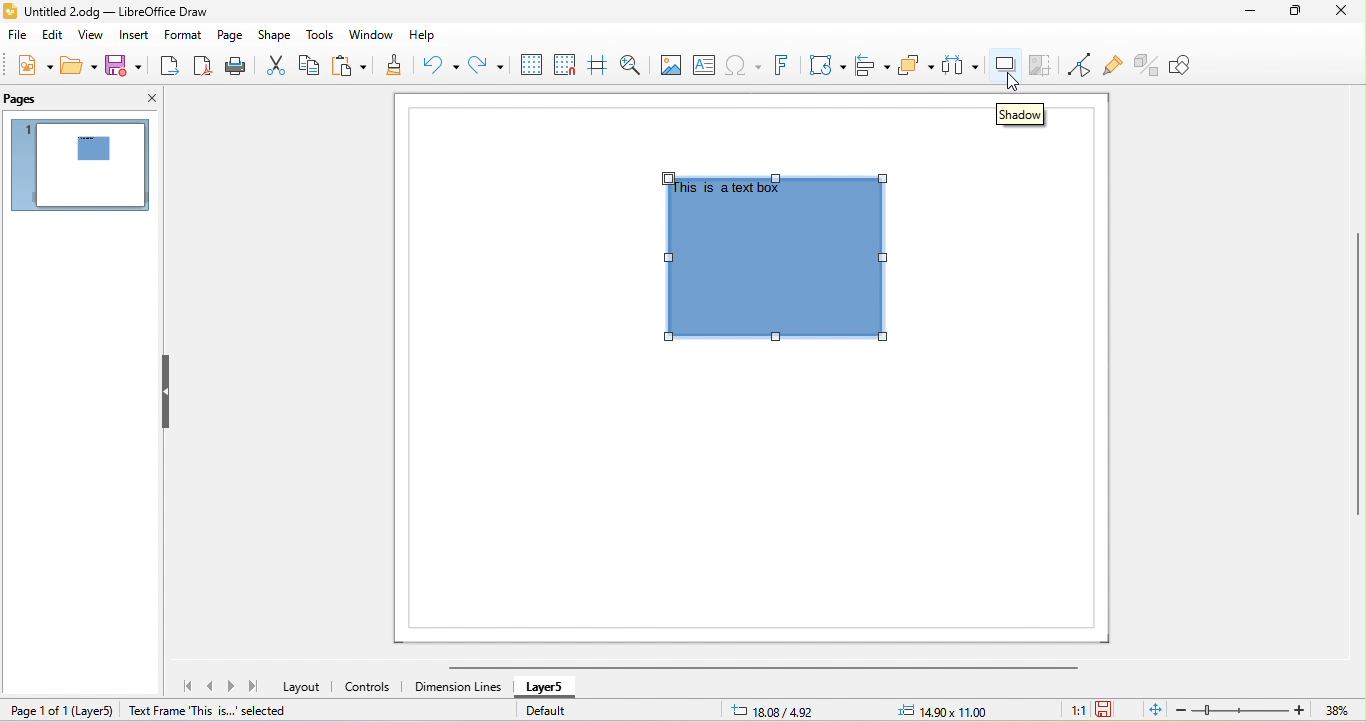 The width and height of the screenshot is (1366, 722). Describe the element at coordinates (127, 65) in the screenshot. I see `save` at that location.